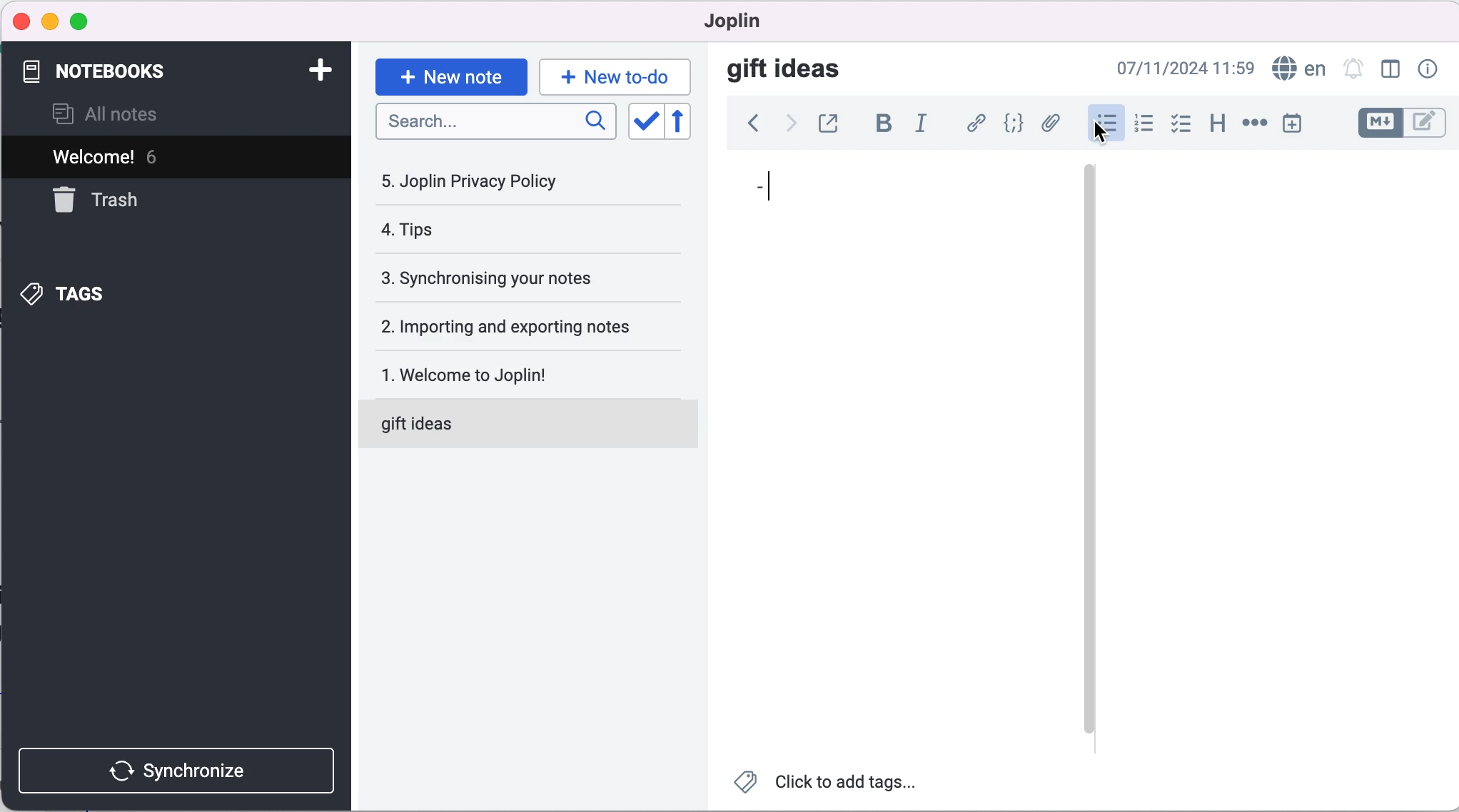 Image resolution: width=1459 pixels, height=812 pixels. Describe the element at coordinates (1052, 124) in the screenshot. I see `add file` at that location.